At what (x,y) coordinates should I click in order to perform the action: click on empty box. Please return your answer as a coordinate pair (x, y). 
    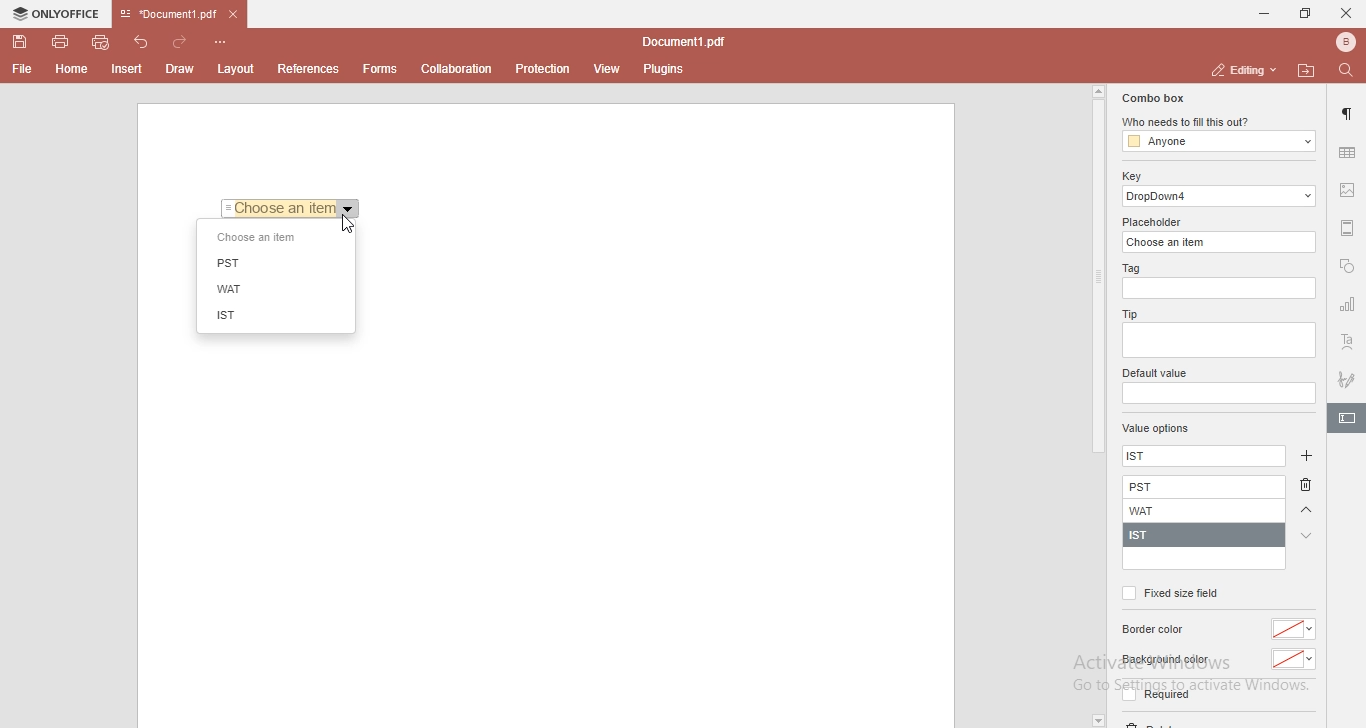
    Looking at the image, I should click on (1217, 394).